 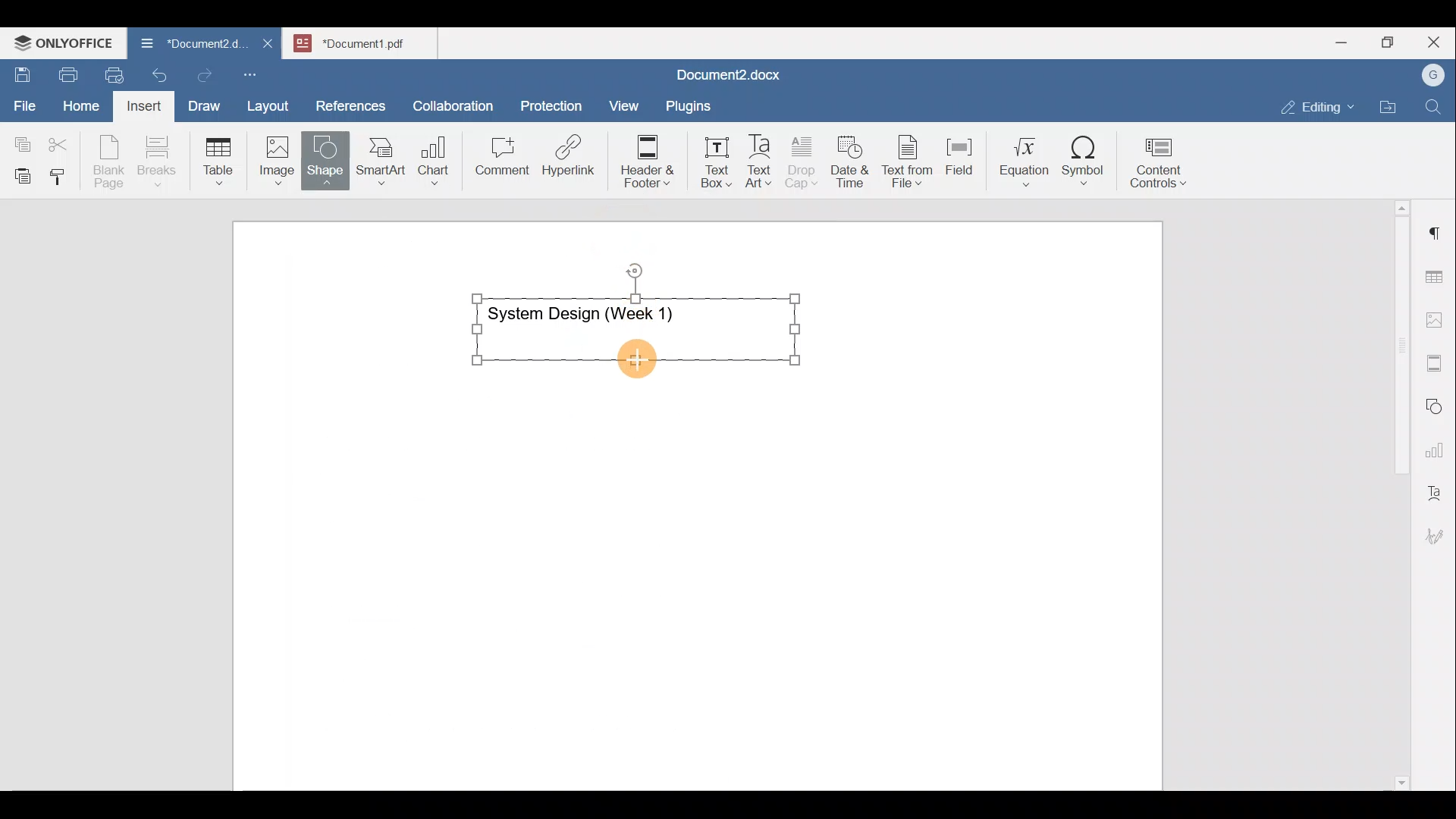 What do you see at coordinates (1437, 404) in the screenshot?
I see `Shapes settings` at bounding box center [1437, 404].